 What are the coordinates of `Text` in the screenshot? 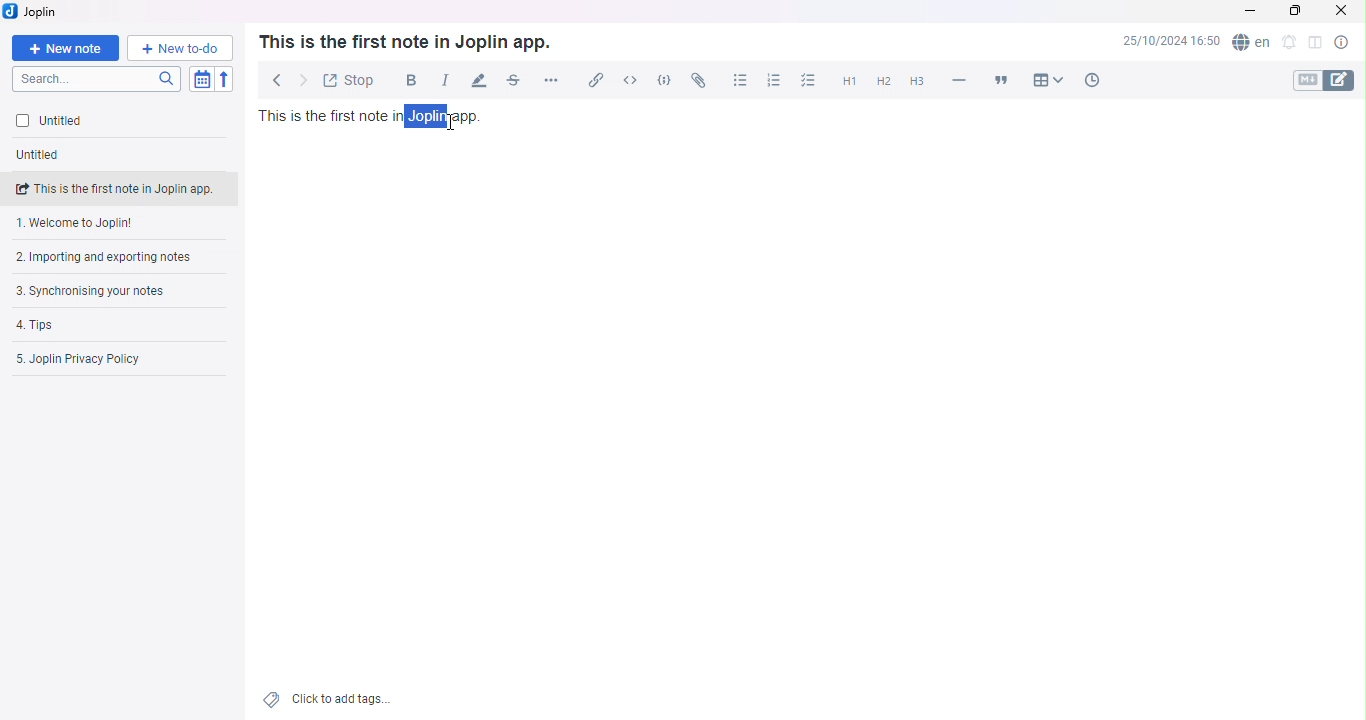 It's located at (404, 41).